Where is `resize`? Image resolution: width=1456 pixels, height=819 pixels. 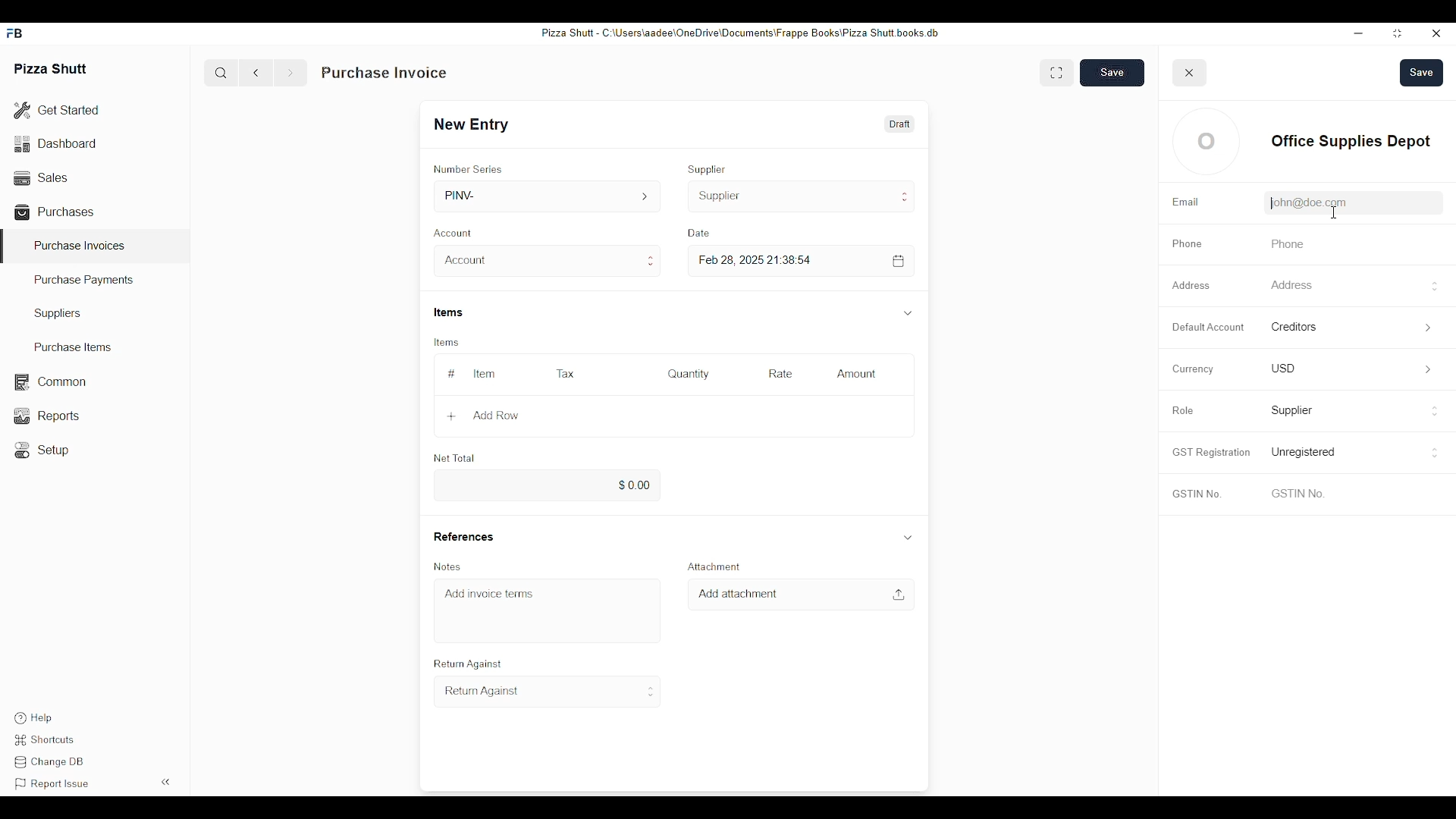
resize is located at coordinates (1395, 34).